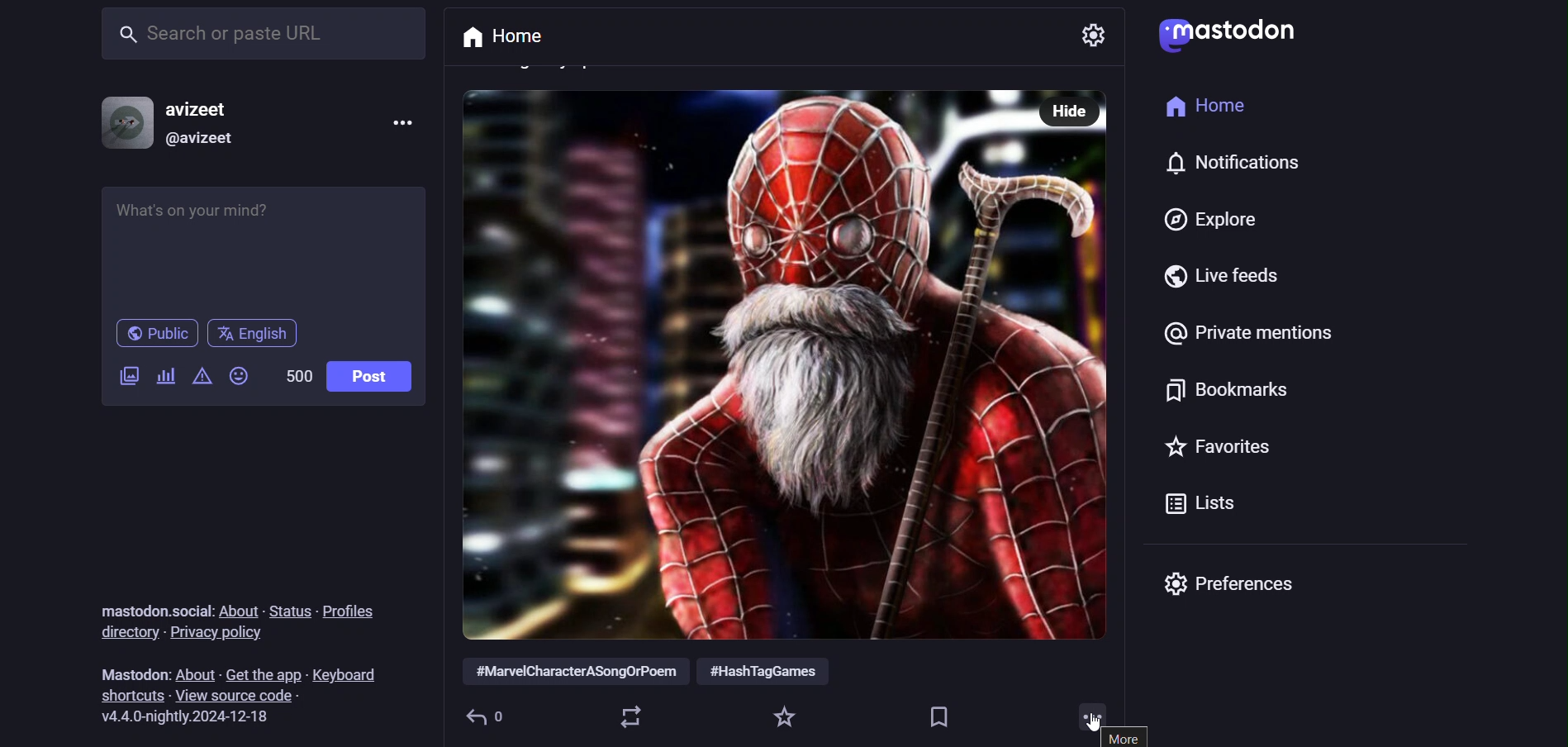 This screenshot has height=747, width=1568. What do you see at coordinates (500, 38) in the screenshot?
I see `home` at bounding box center [500, 38].